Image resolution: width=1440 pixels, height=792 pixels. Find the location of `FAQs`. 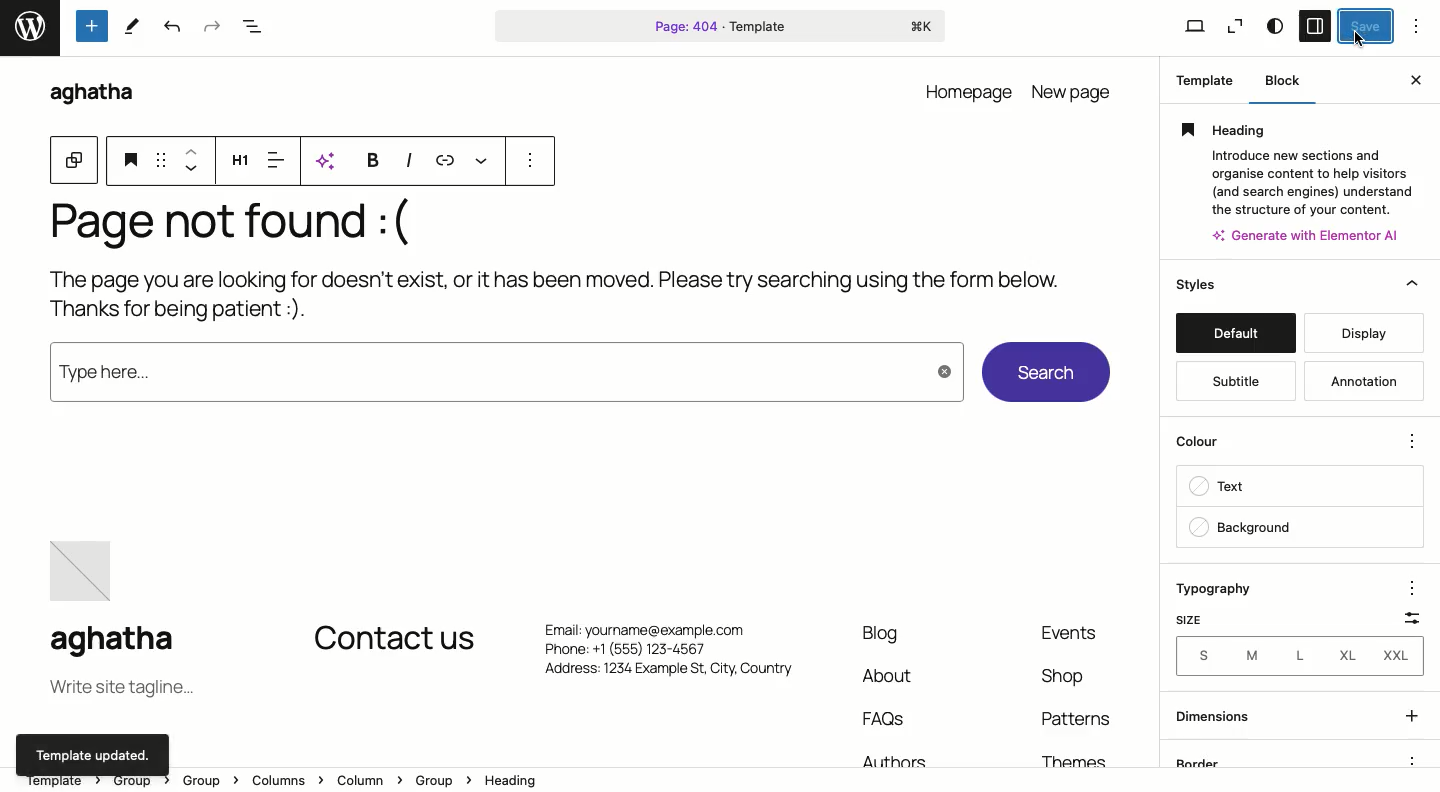

FAQs is located at coordinates (887, 719).